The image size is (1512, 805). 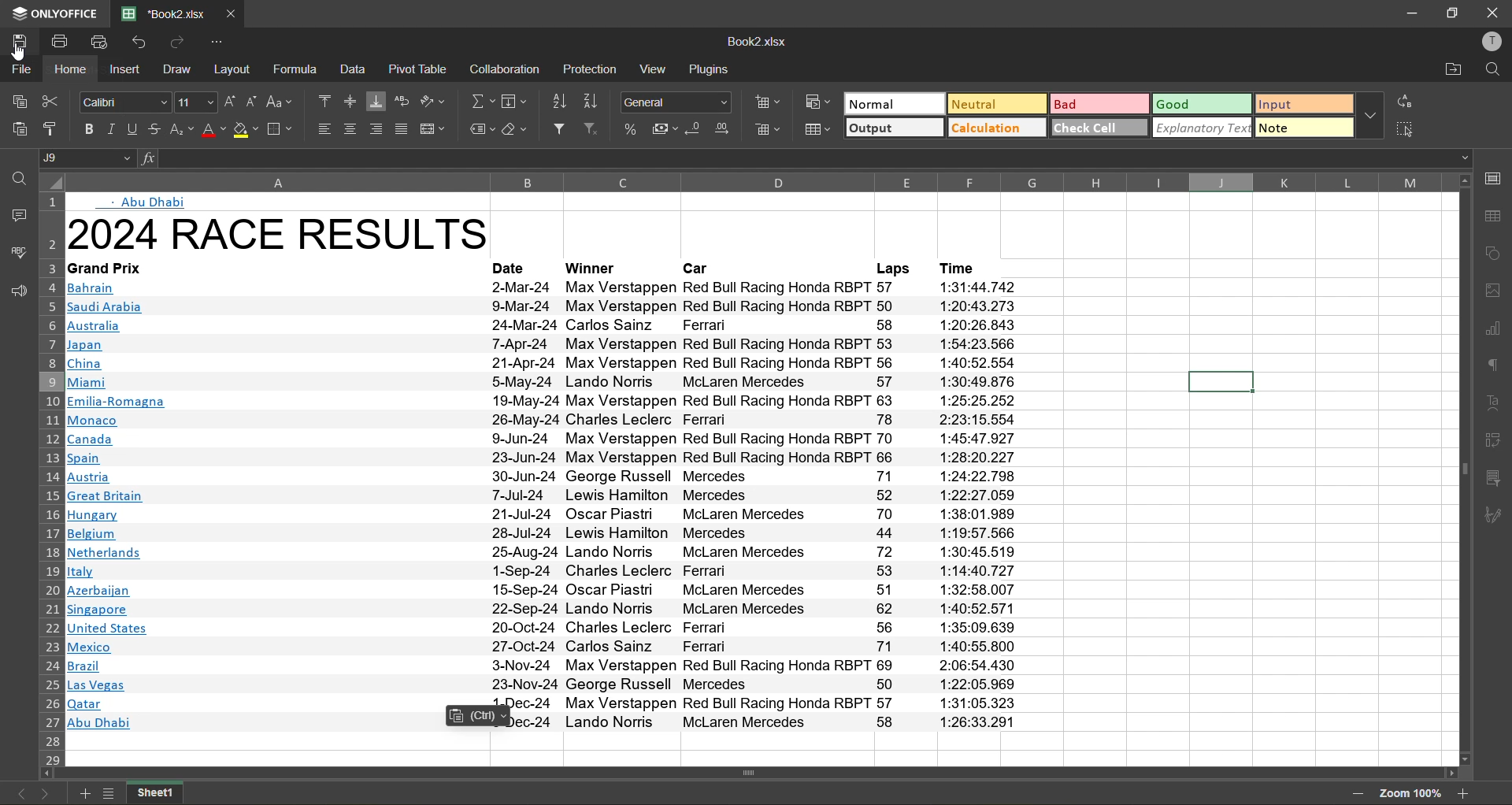 I want to click on field, so click(x=516, y=102).